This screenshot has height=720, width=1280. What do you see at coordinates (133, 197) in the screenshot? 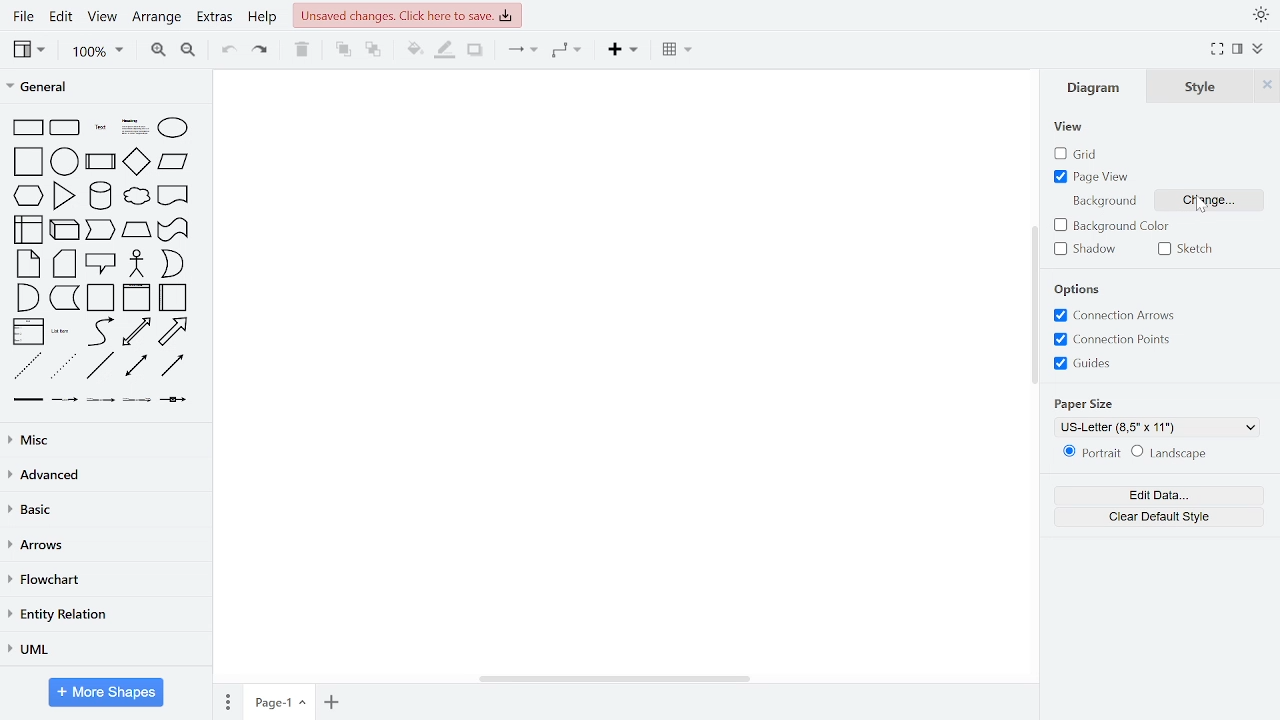
I see `general shapes` at bounding box center [133, 197].